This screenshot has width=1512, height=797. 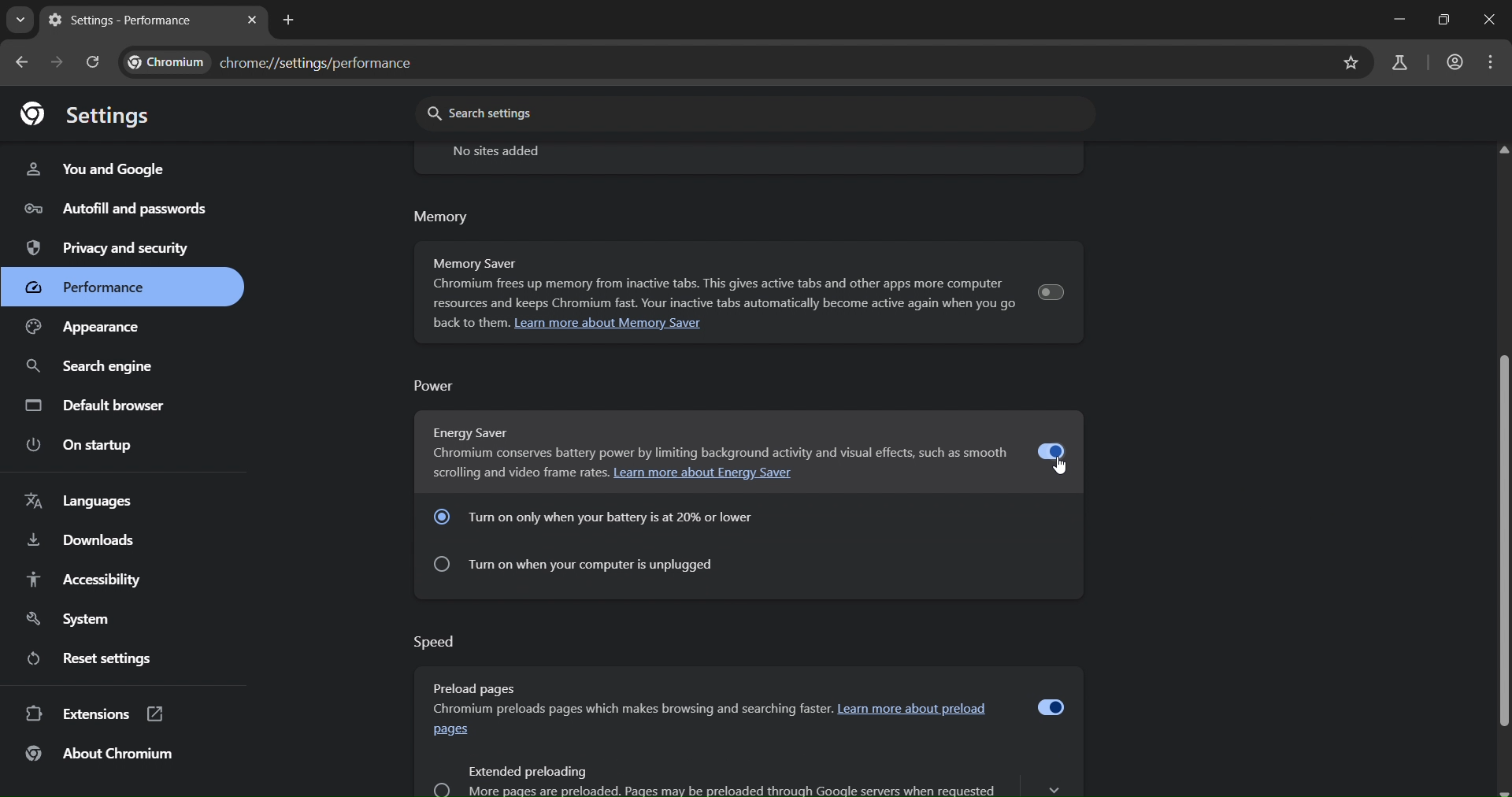 What do you see at coordinates (86, 539) in the screenshot?
I see `downloads` at bounding box center [86, 539].